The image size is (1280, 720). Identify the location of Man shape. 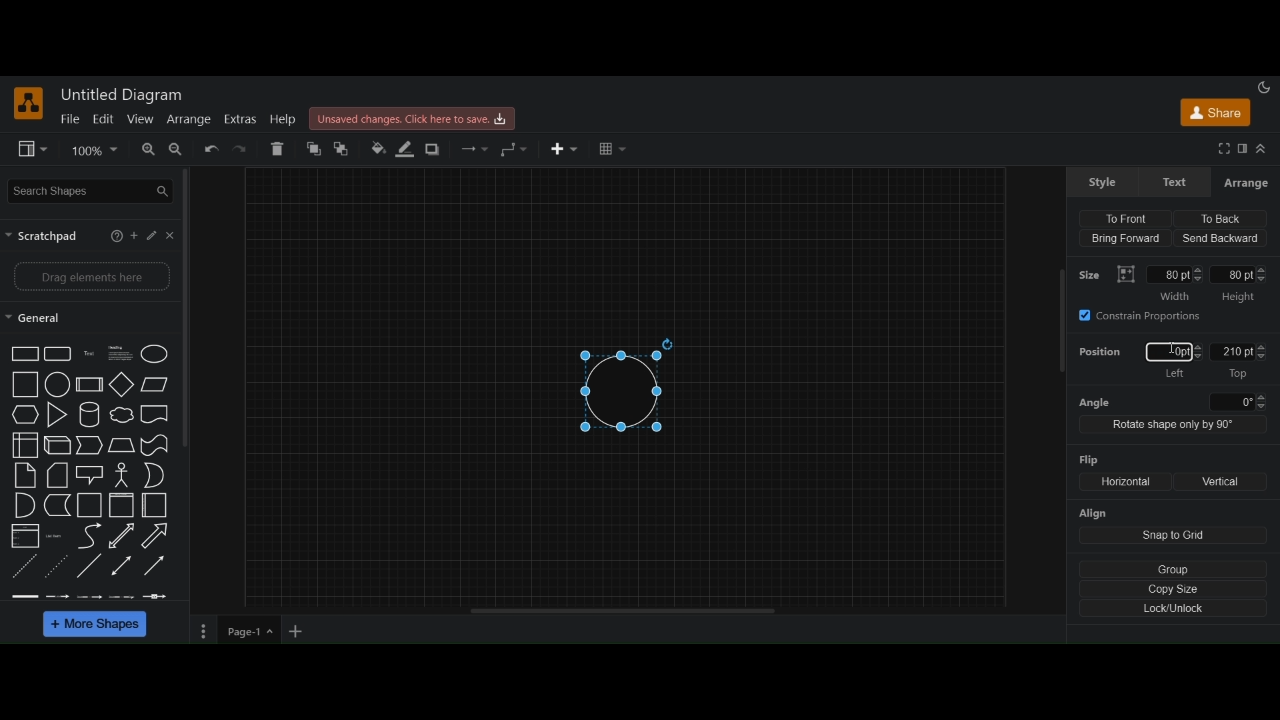
(122, 476).